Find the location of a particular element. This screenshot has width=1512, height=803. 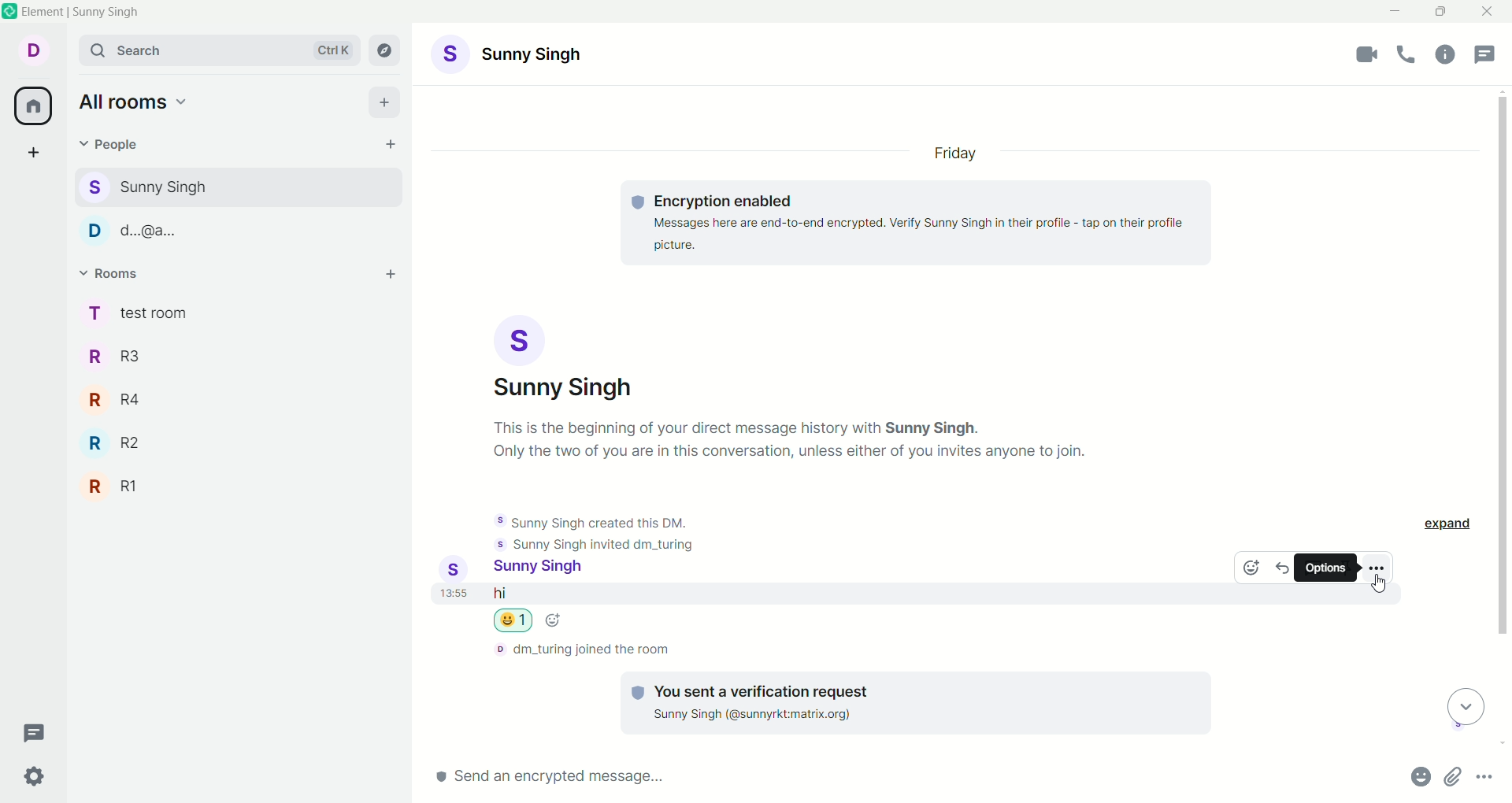

search is located at coordinates (219, 52).